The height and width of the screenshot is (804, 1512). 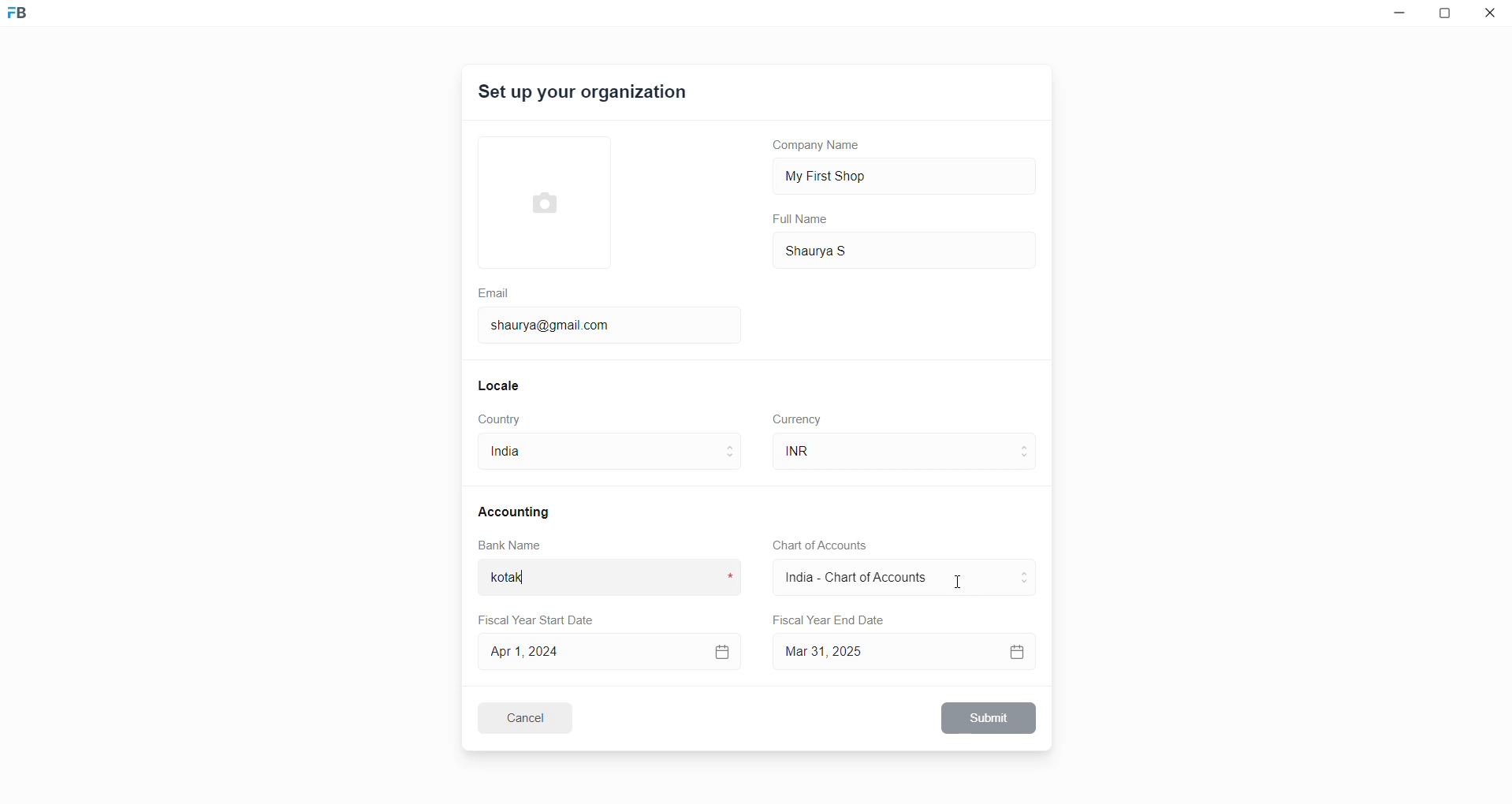 What do you see at coordinates (537, 200) in the screenshot?
I see `select Profile picture` at bounding box center [537, 200].